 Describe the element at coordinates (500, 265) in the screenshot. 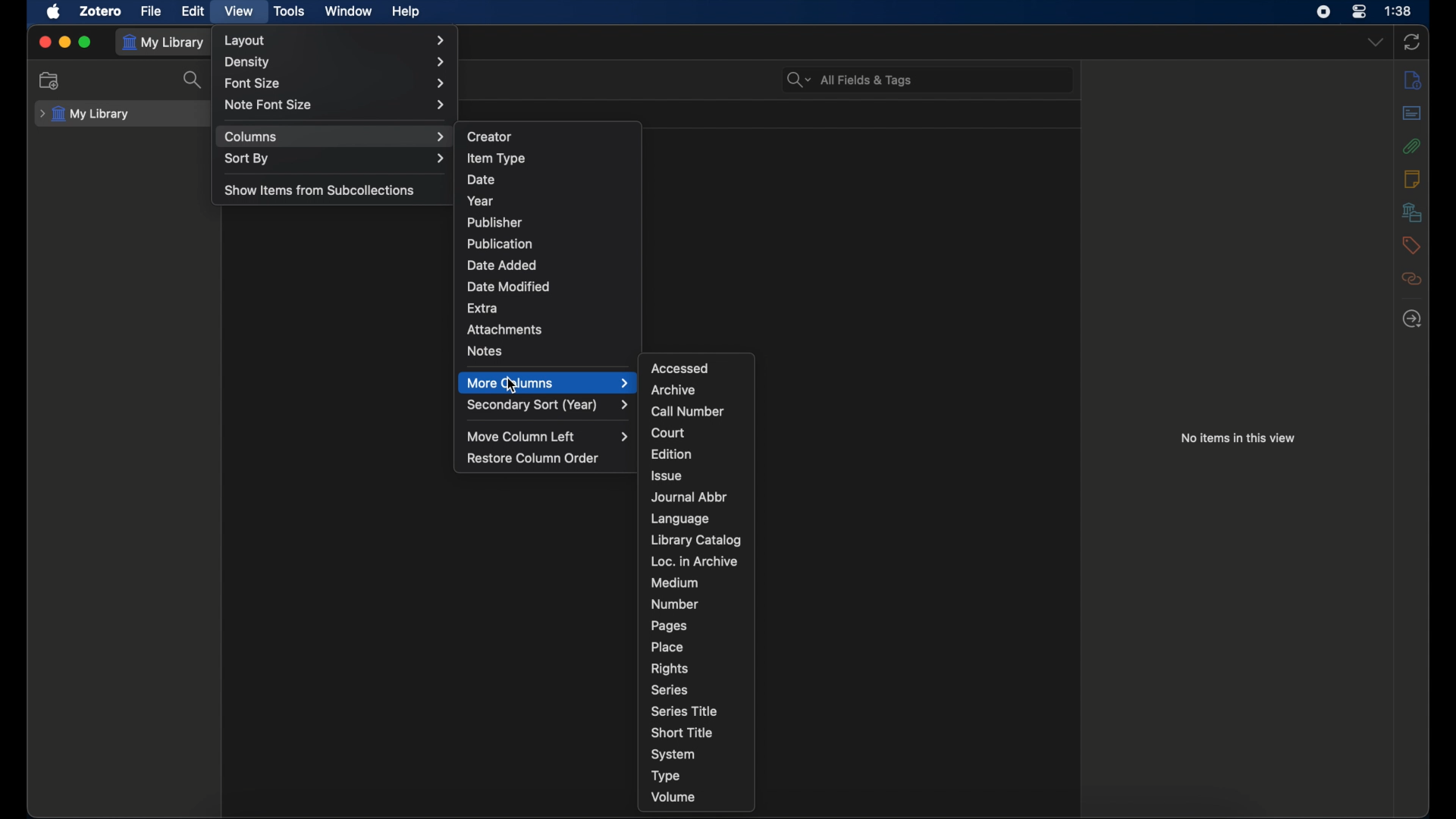

I see `date added` at that location.